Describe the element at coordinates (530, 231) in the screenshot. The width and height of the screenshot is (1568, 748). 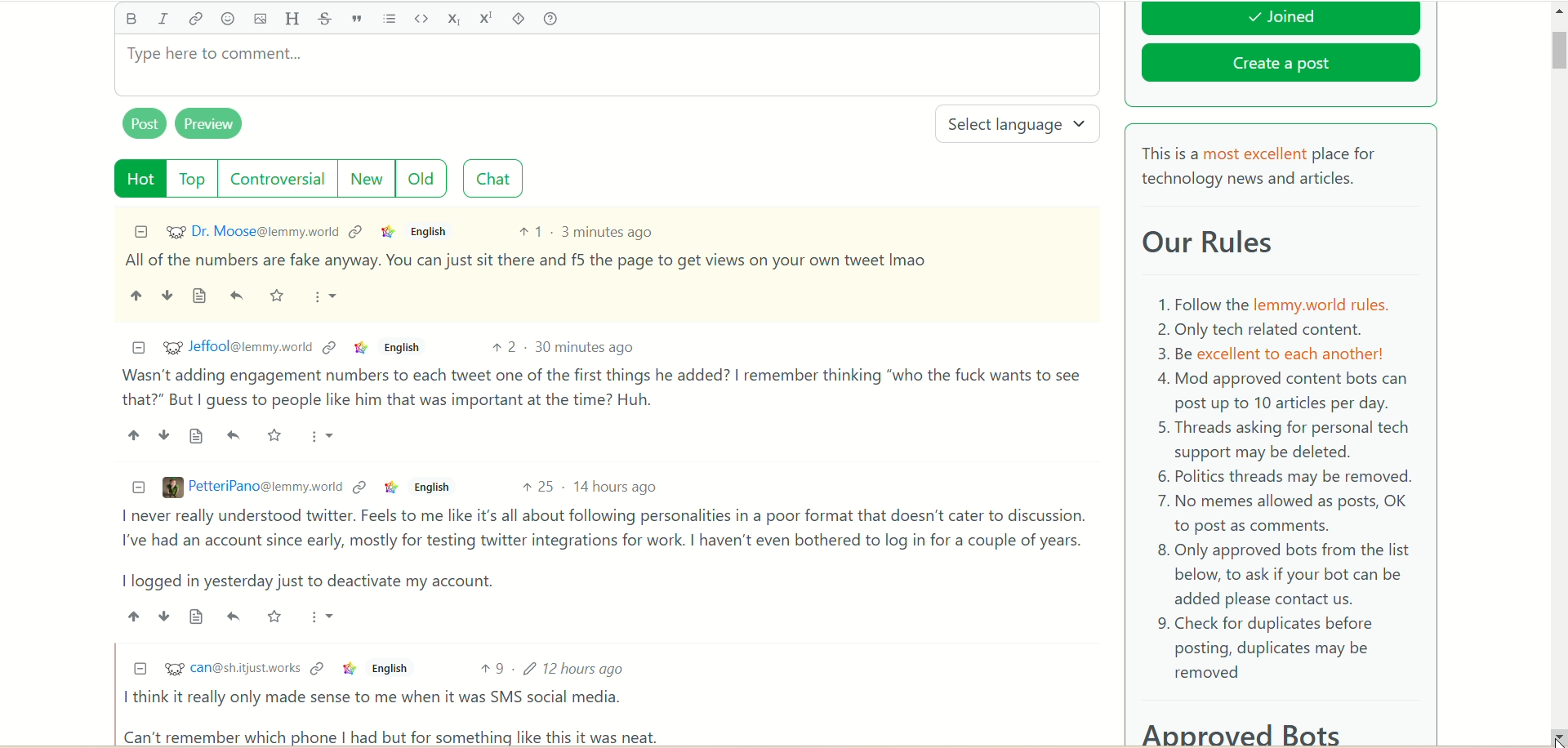
I see `Upvote 1` at that location.